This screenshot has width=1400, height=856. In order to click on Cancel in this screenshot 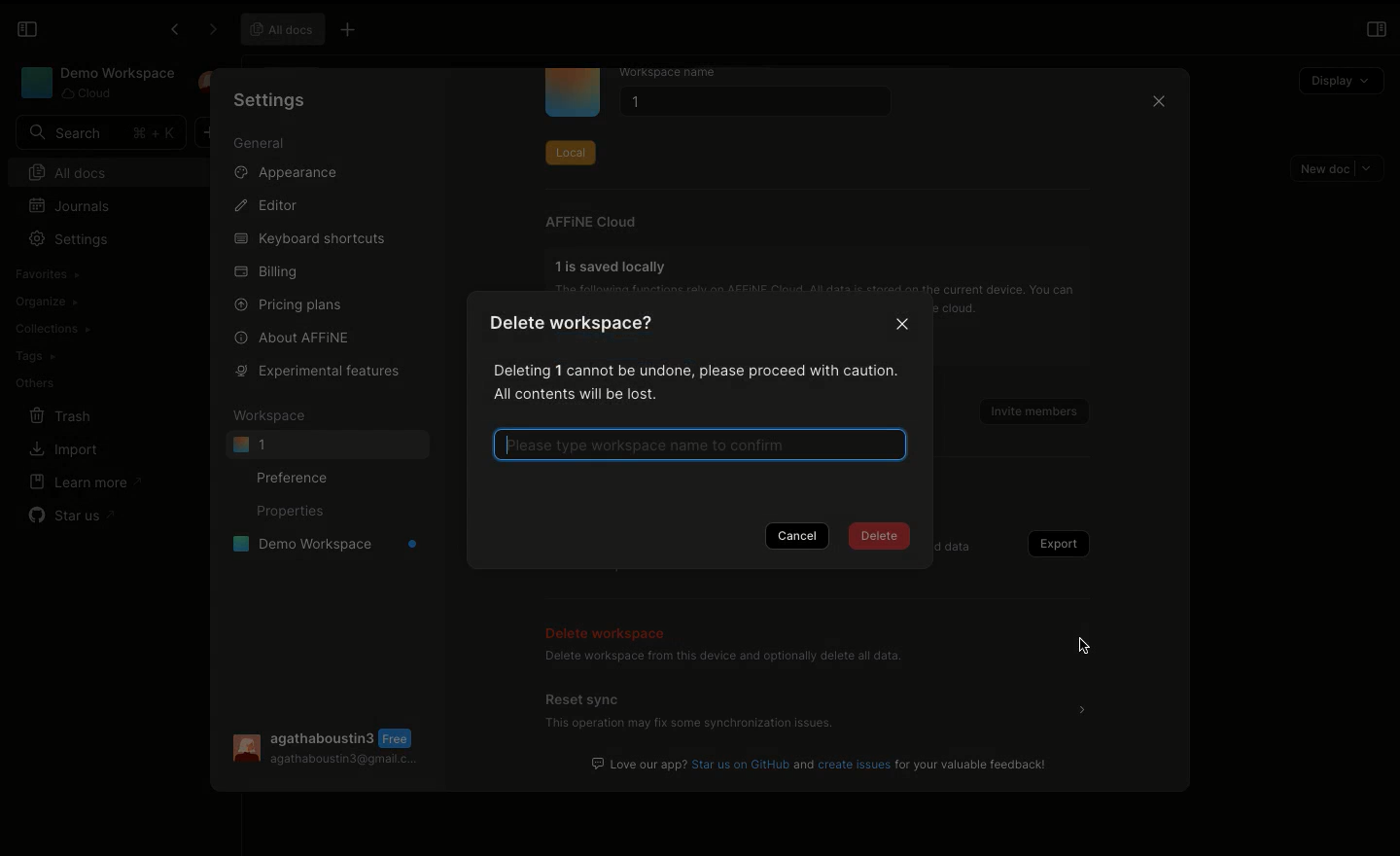, I will do `click(800, 537)`.